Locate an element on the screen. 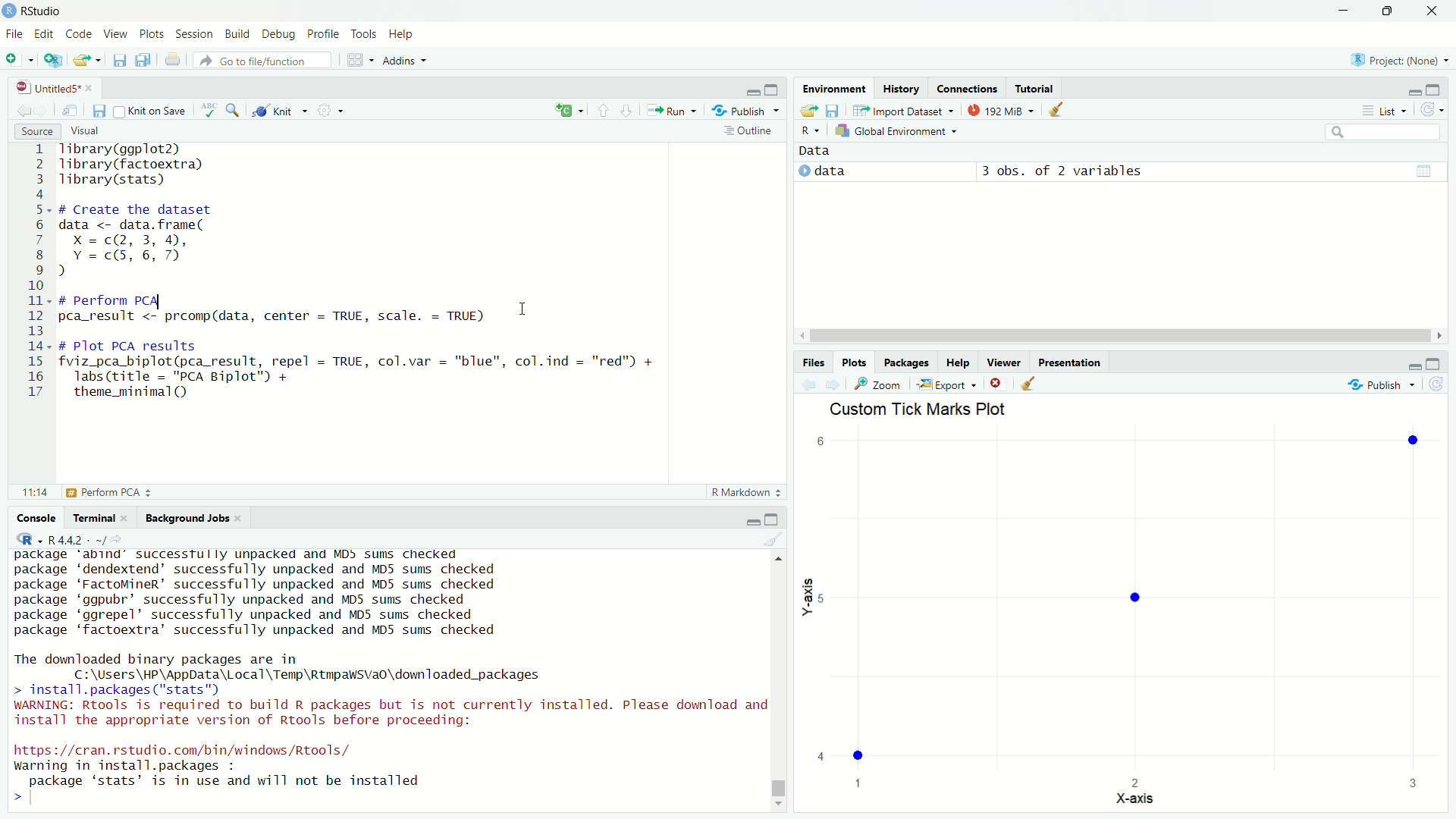 This screenshot has height=819, width=1456. cursor is located at coordinates (526, 308).